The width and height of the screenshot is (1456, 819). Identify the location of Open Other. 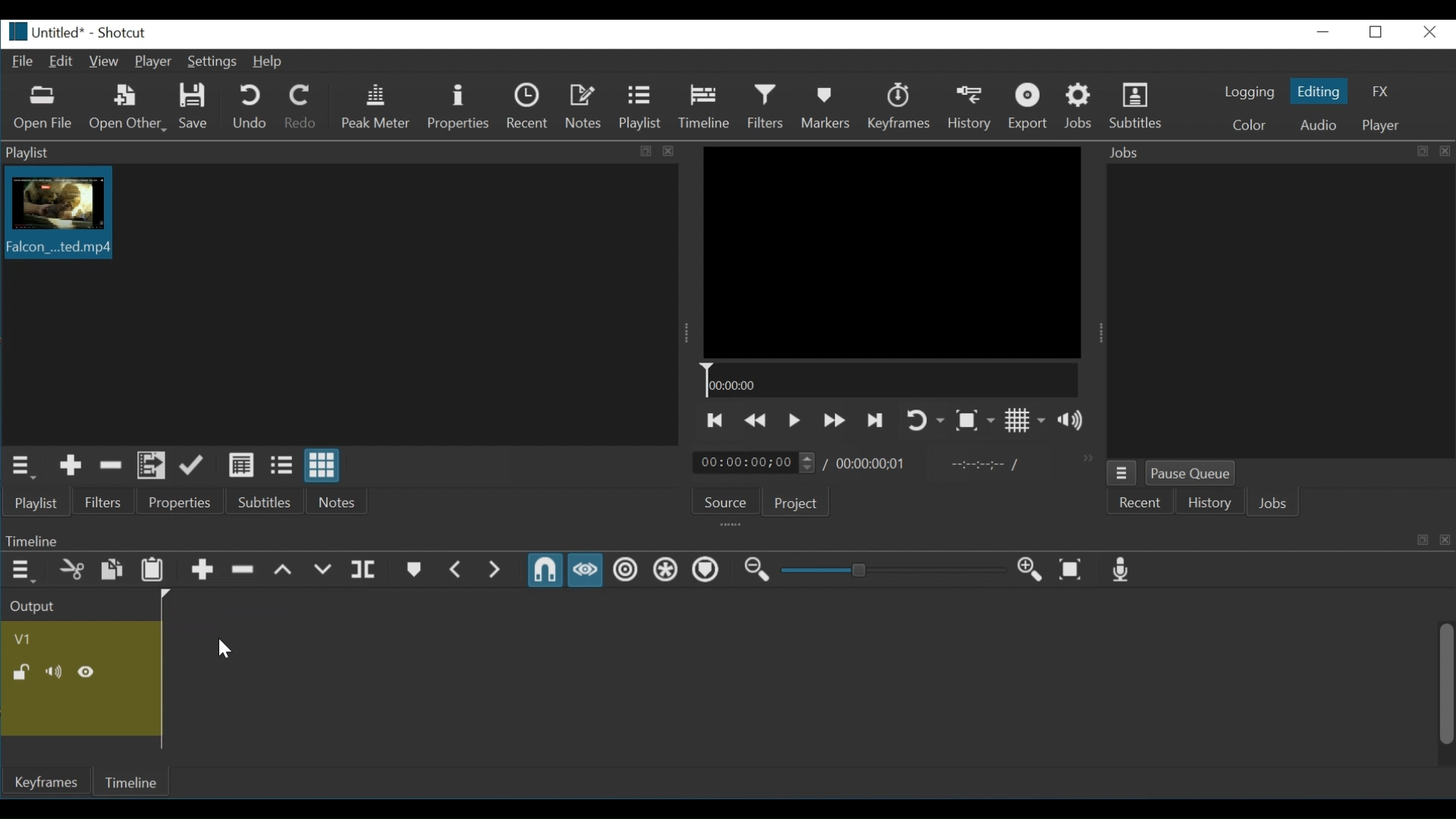
(129, 108).